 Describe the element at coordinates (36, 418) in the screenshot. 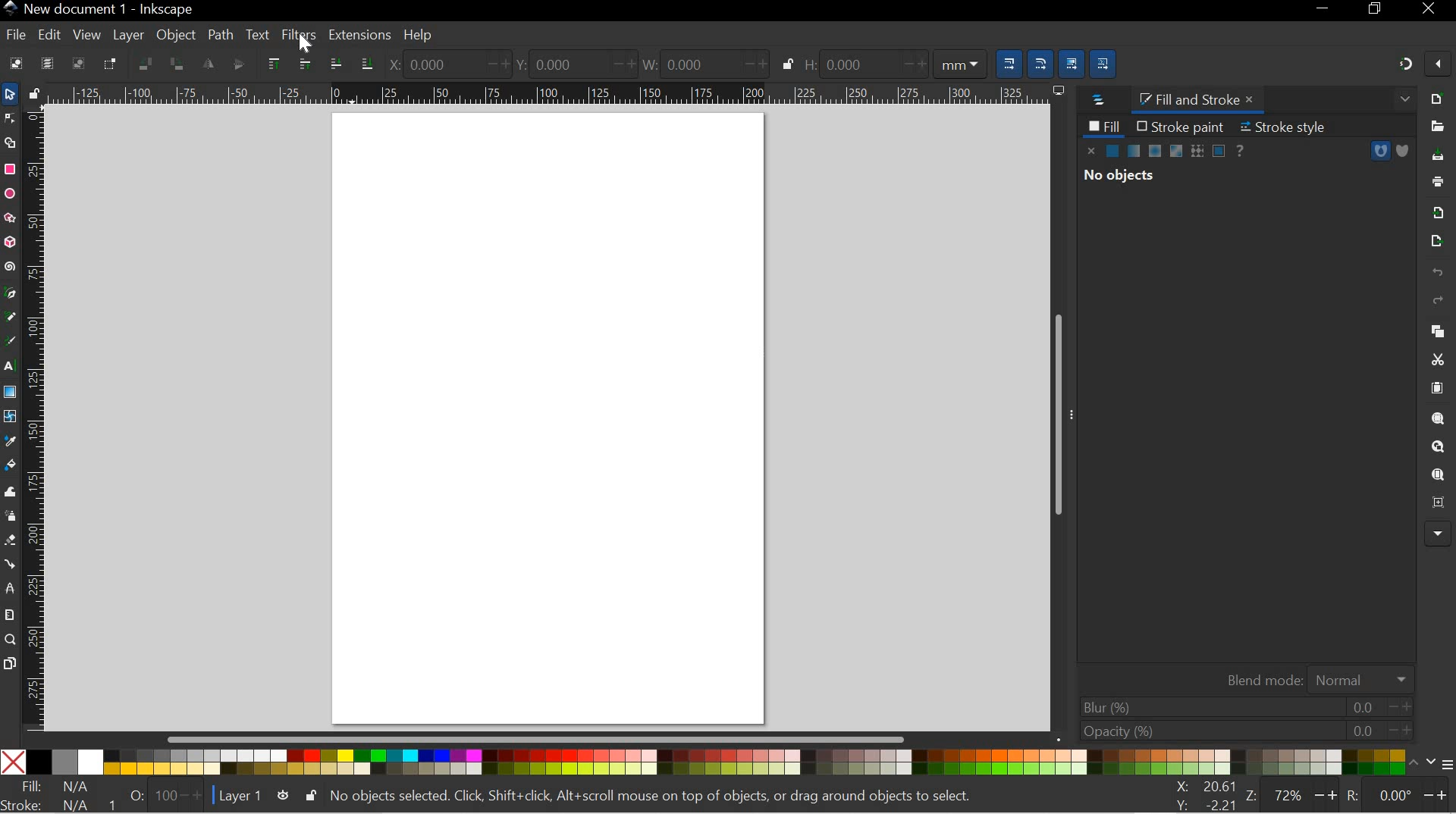

I see `RULER` at that location.